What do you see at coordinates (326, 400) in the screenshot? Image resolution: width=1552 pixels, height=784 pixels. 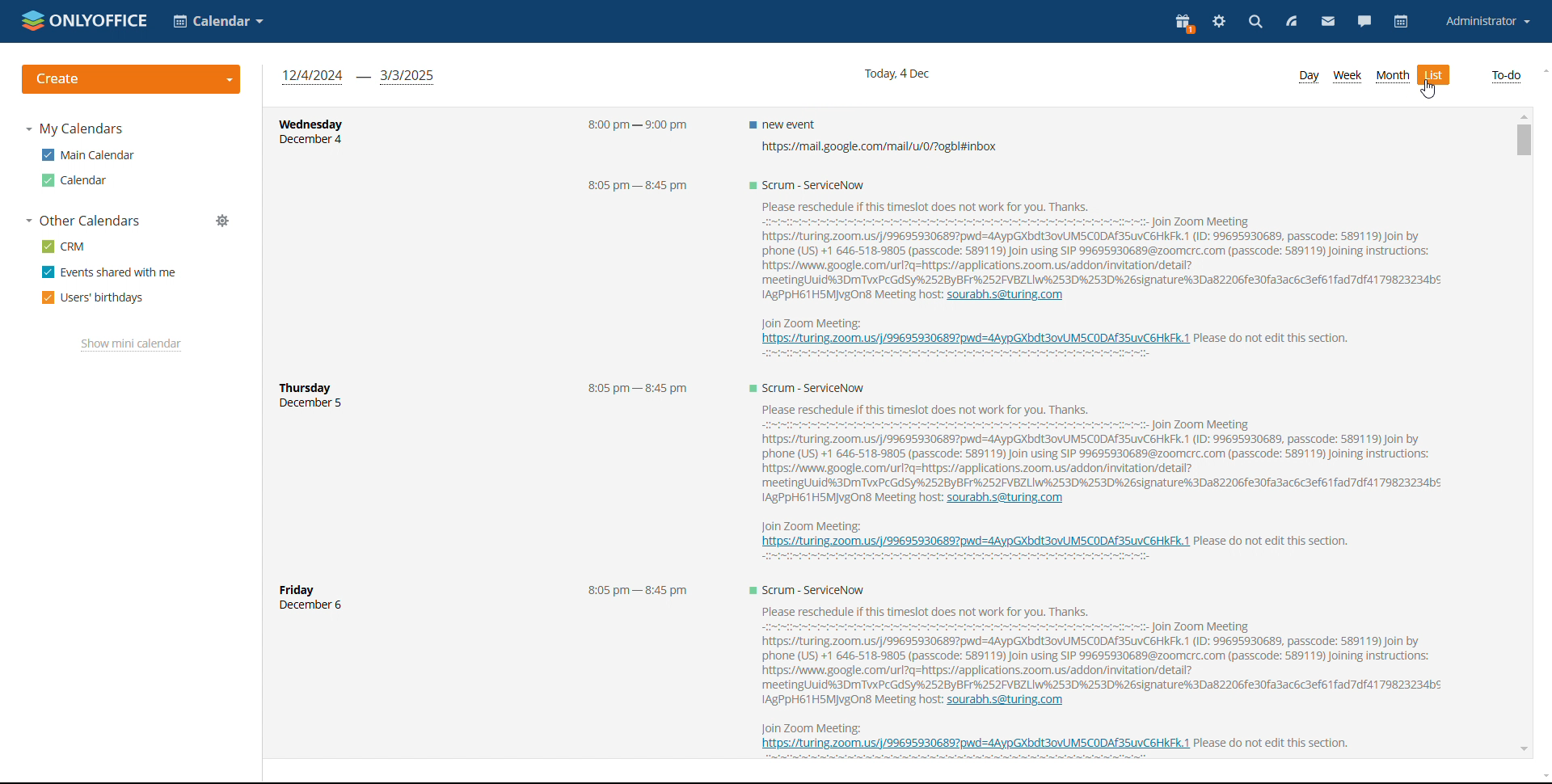 I see `Thursday
December 5` at bounding box center [326, 400].